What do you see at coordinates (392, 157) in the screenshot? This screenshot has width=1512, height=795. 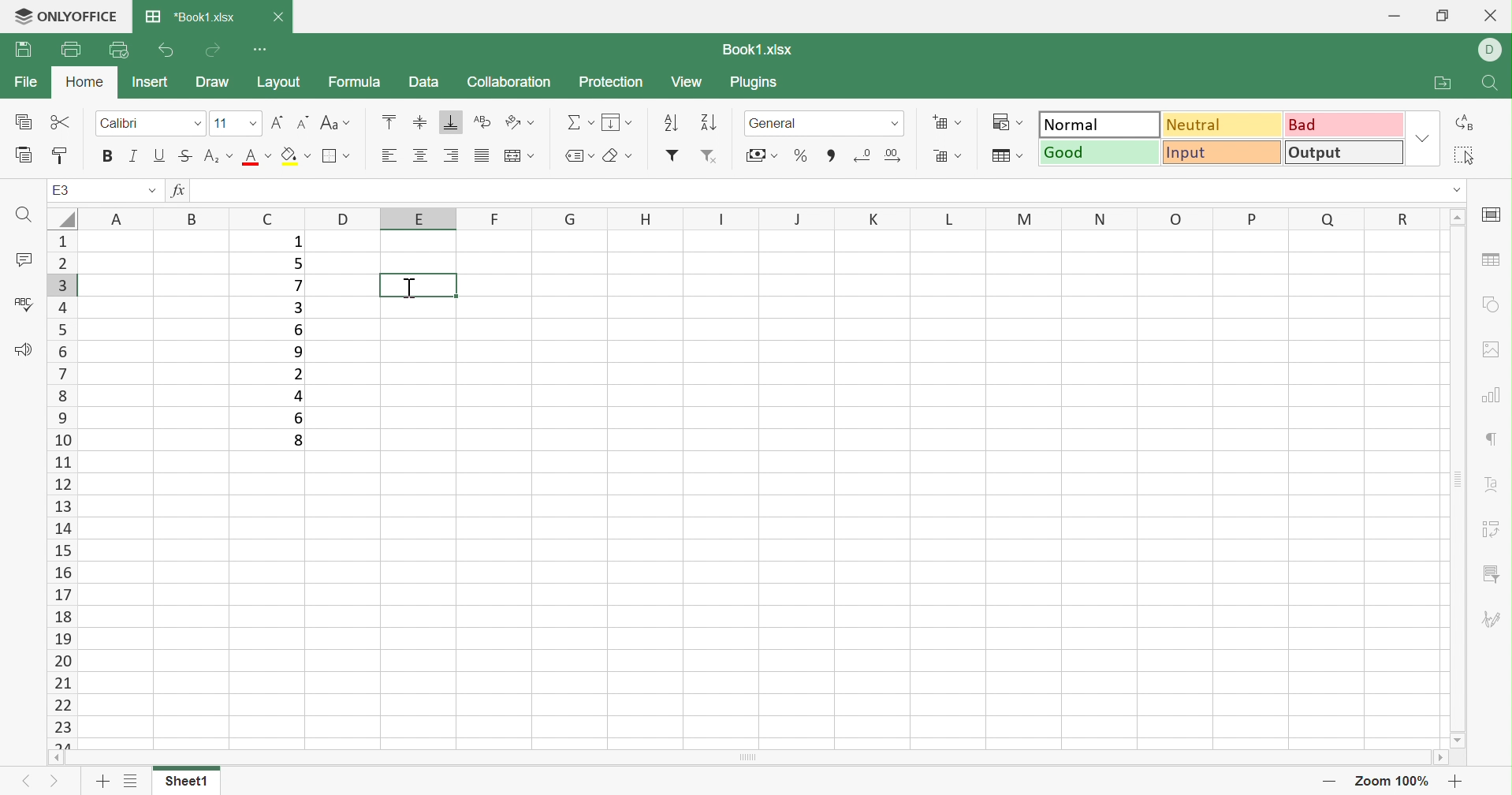 I see `Align Right` at bounding box center [392, 157].